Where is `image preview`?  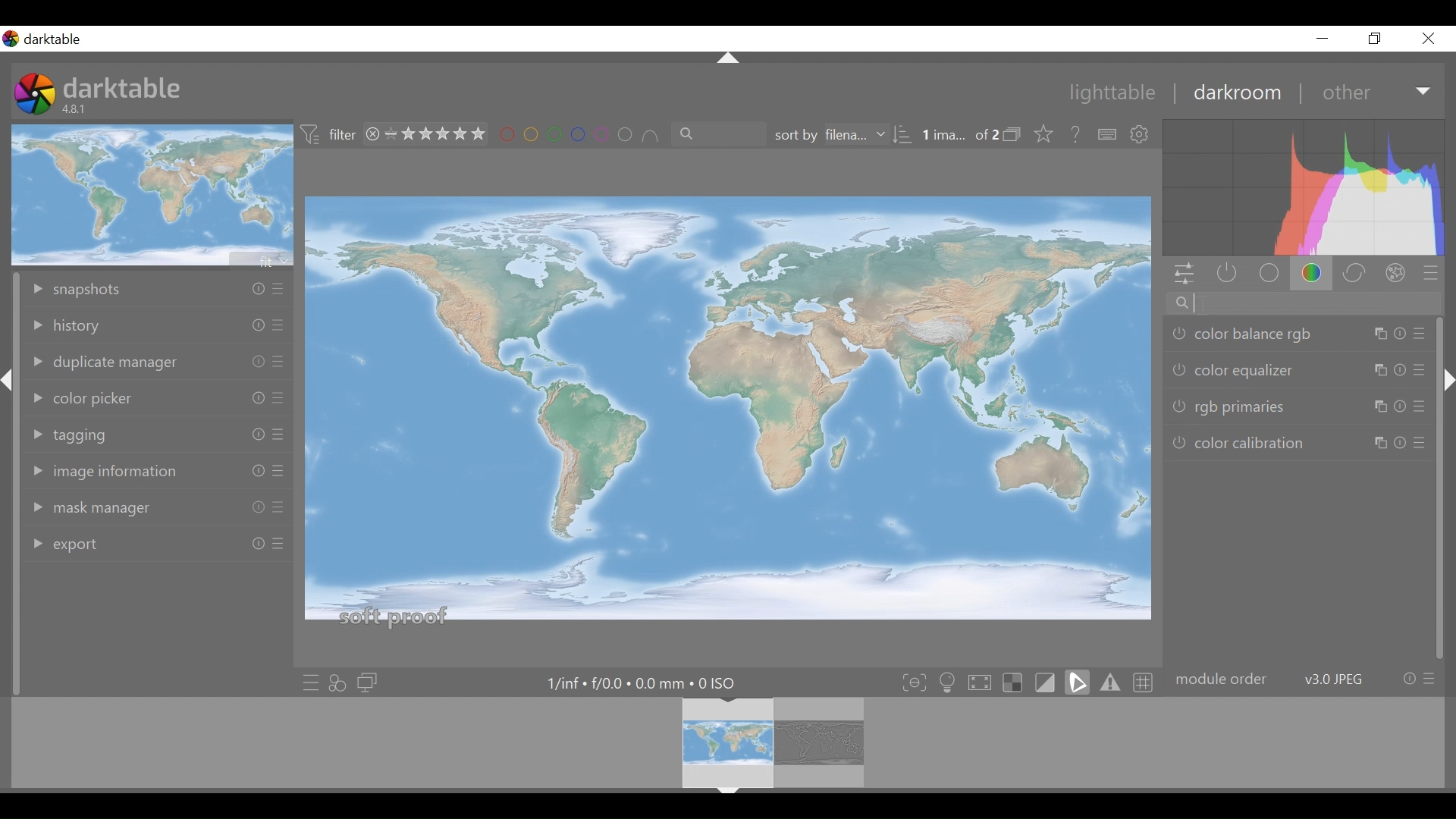
image preview is located at coordinates (149, 195).